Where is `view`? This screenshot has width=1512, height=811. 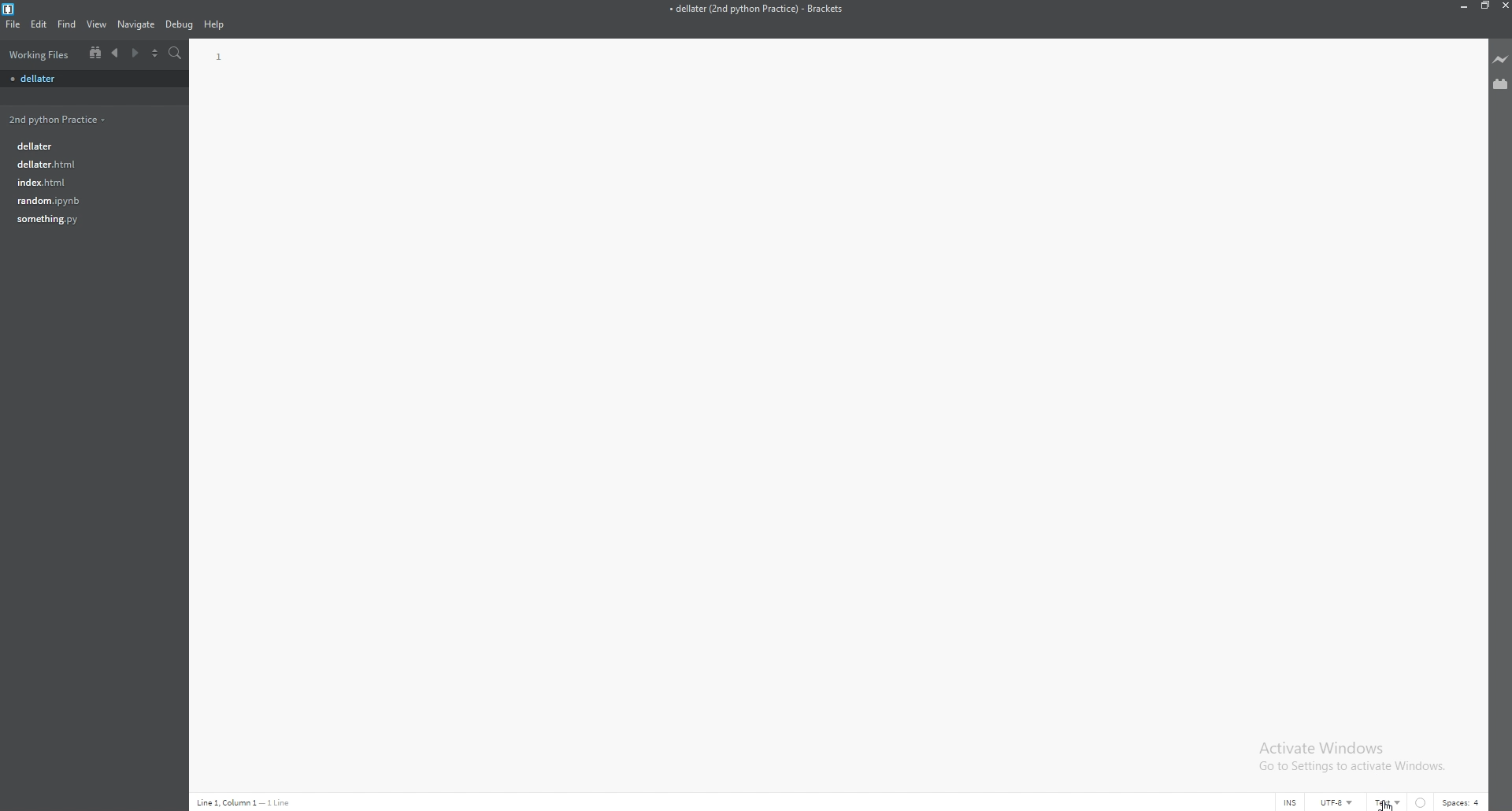
view is located at coordinates (97, 24).